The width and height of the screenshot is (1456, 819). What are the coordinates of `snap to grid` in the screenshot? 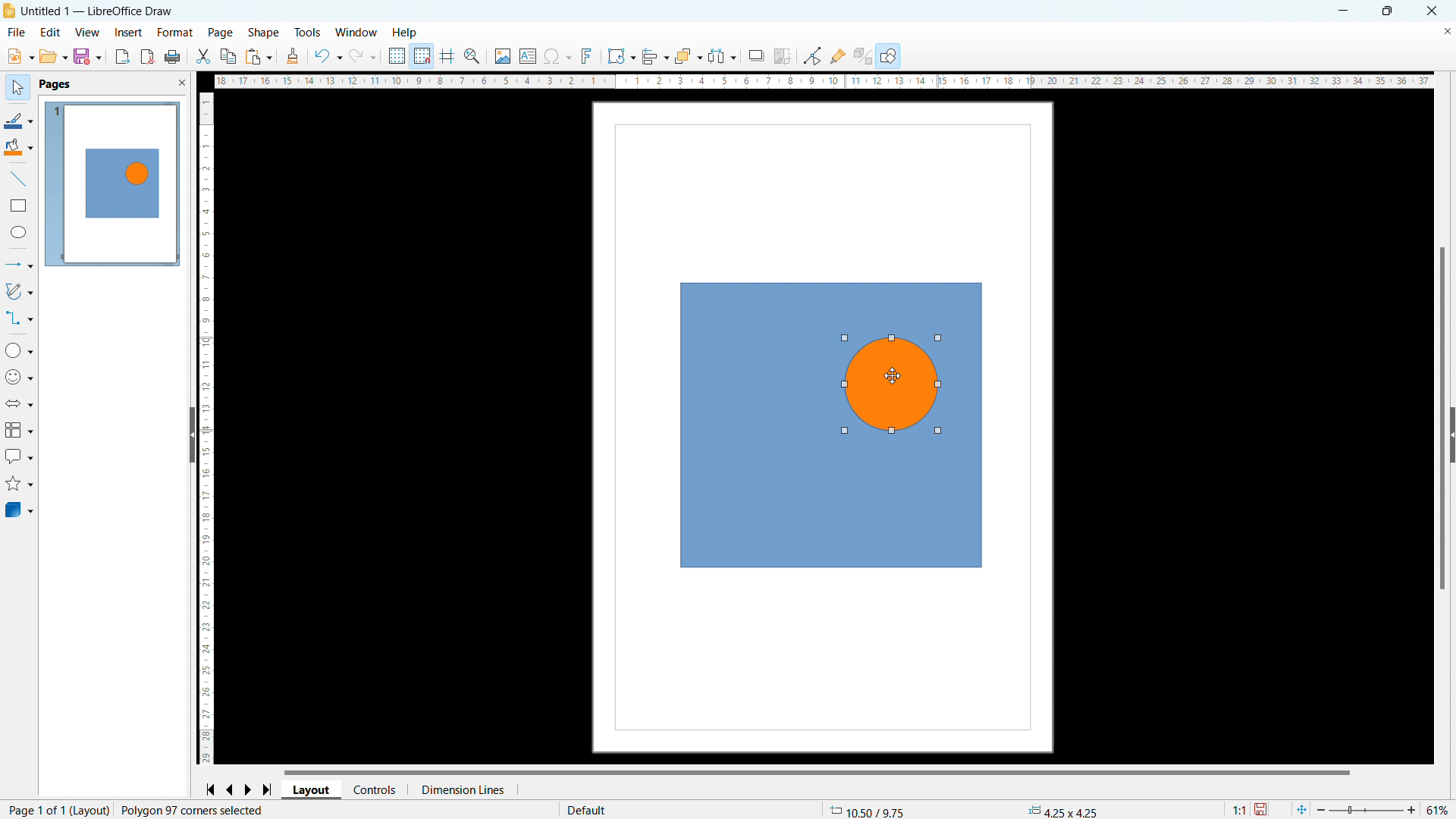 It's located at (422, 57).